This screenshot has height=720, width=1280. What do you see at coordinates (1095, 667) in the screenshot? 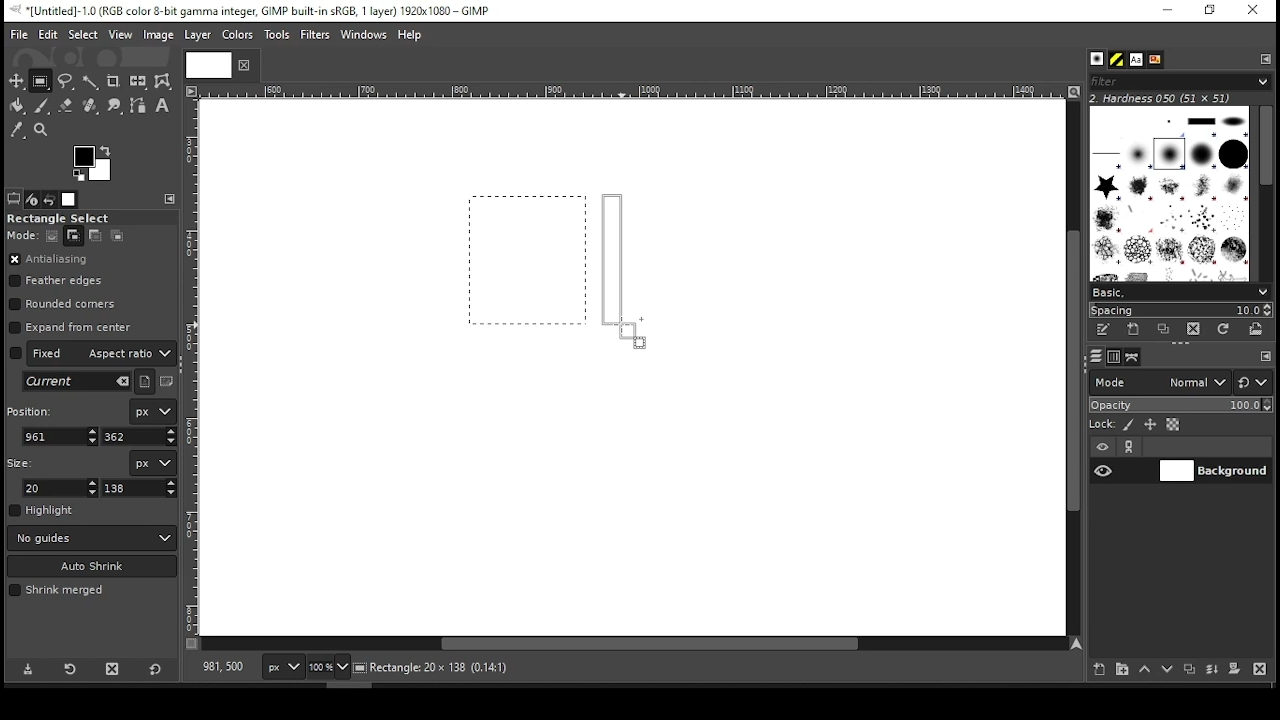
I see `new layer` at bounding box center [1095, 667].